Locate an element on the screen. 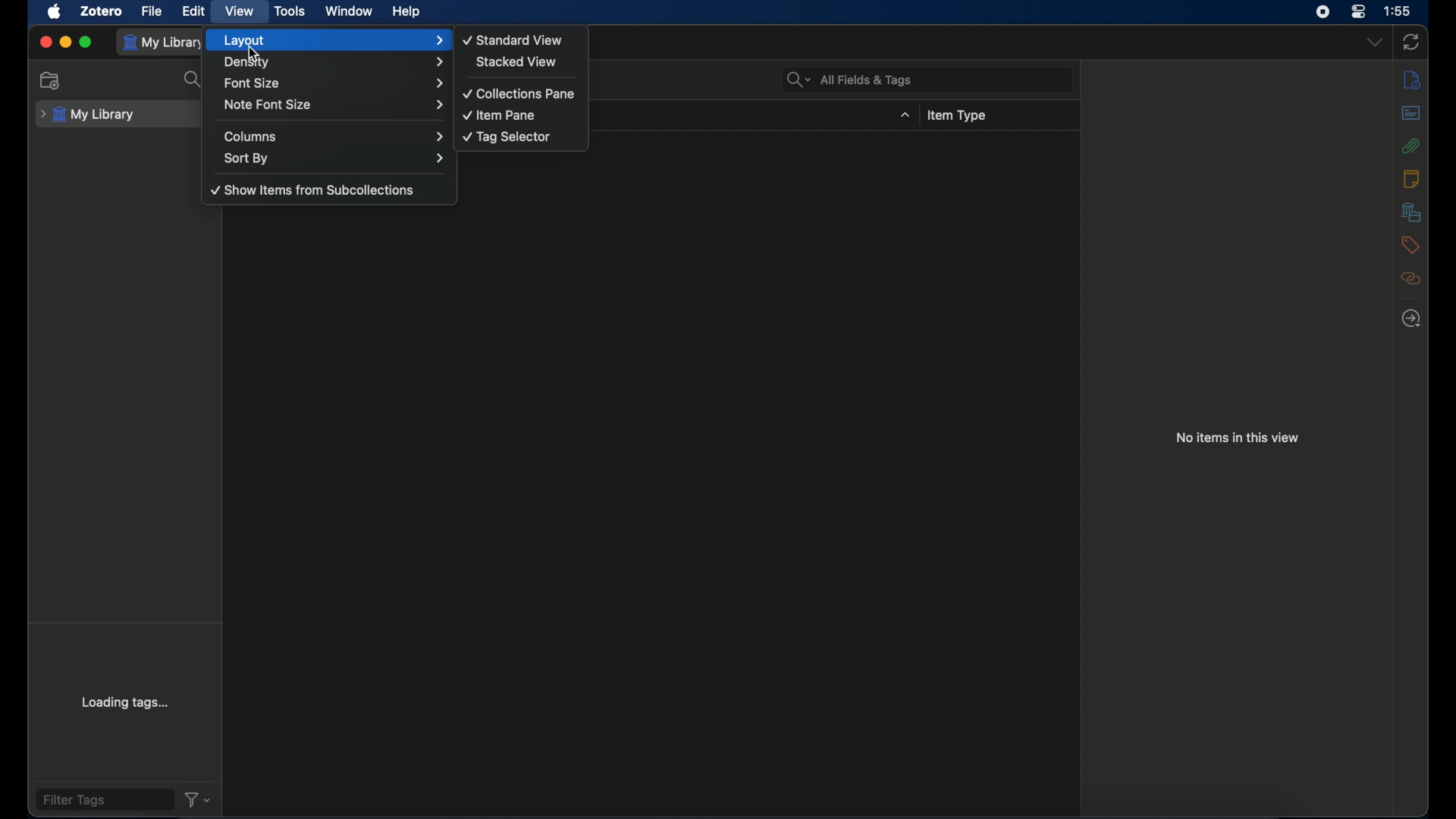  new collection is located at coordinates (52, 81).